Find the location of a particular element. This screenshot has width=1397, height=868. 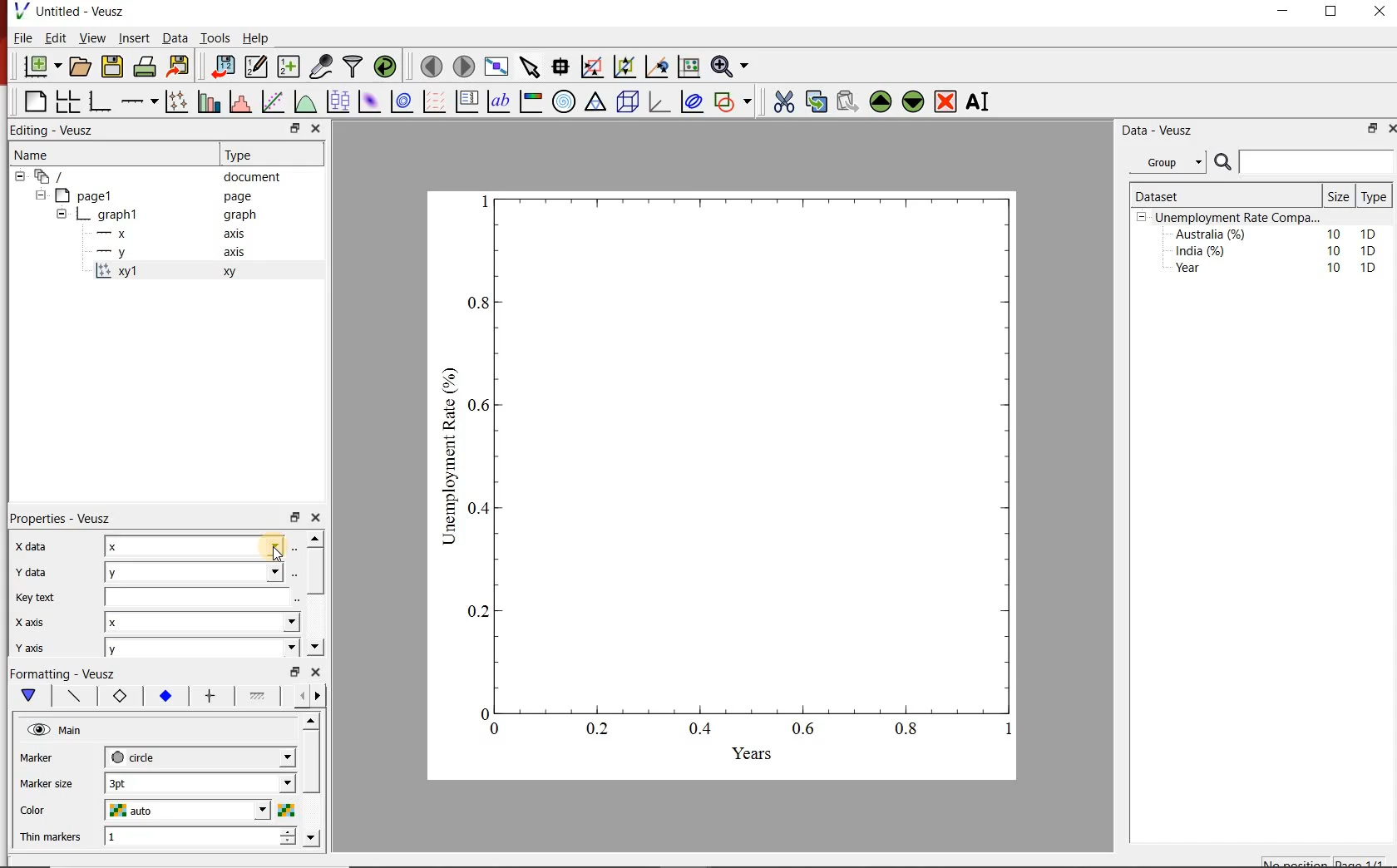

base graphs is located at coordinates (101, 101).